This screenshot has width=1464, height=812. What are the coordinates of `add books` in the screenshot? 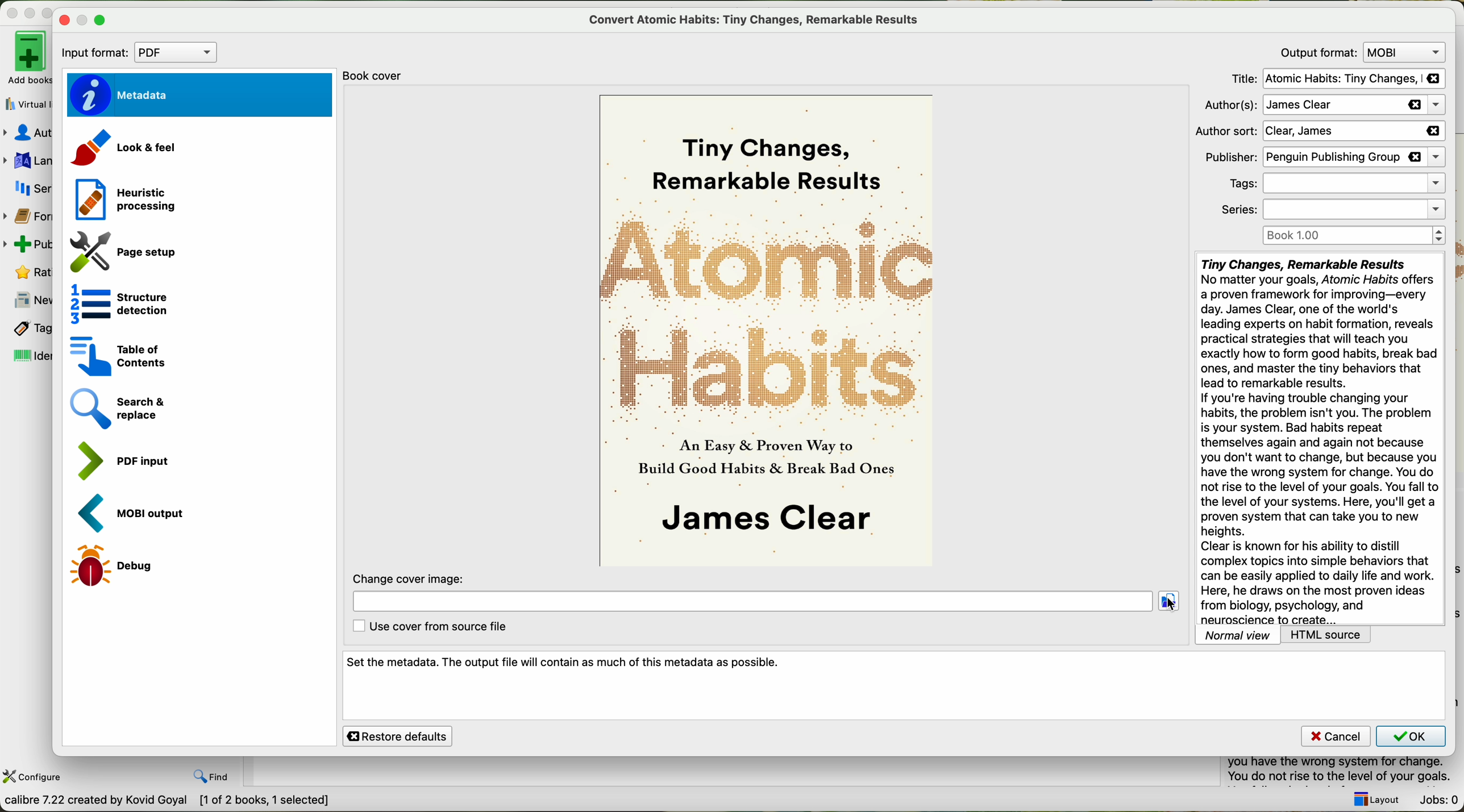 It's located at (26, 57).